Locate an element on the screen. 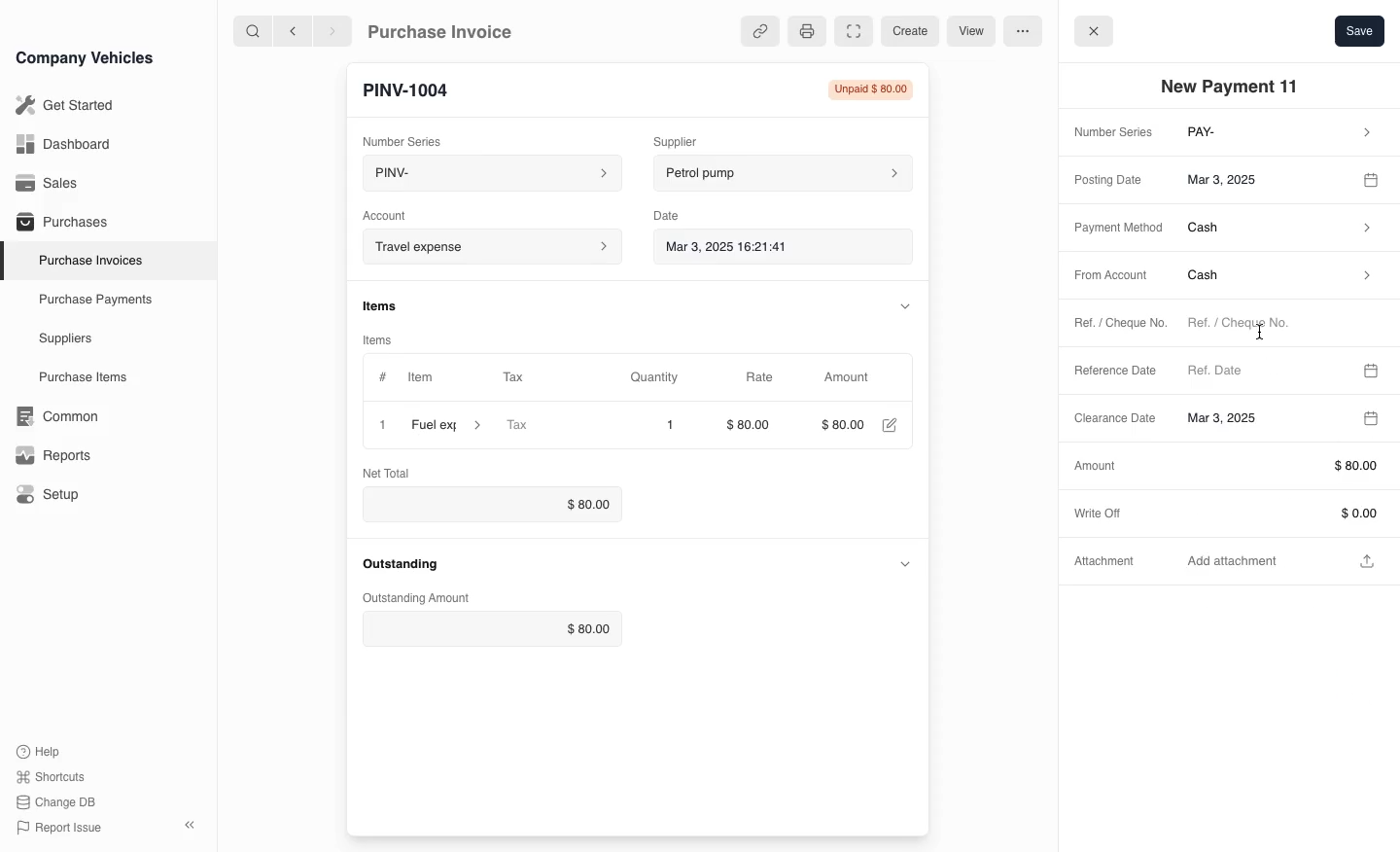  Item is located at coordinates (407, 378).